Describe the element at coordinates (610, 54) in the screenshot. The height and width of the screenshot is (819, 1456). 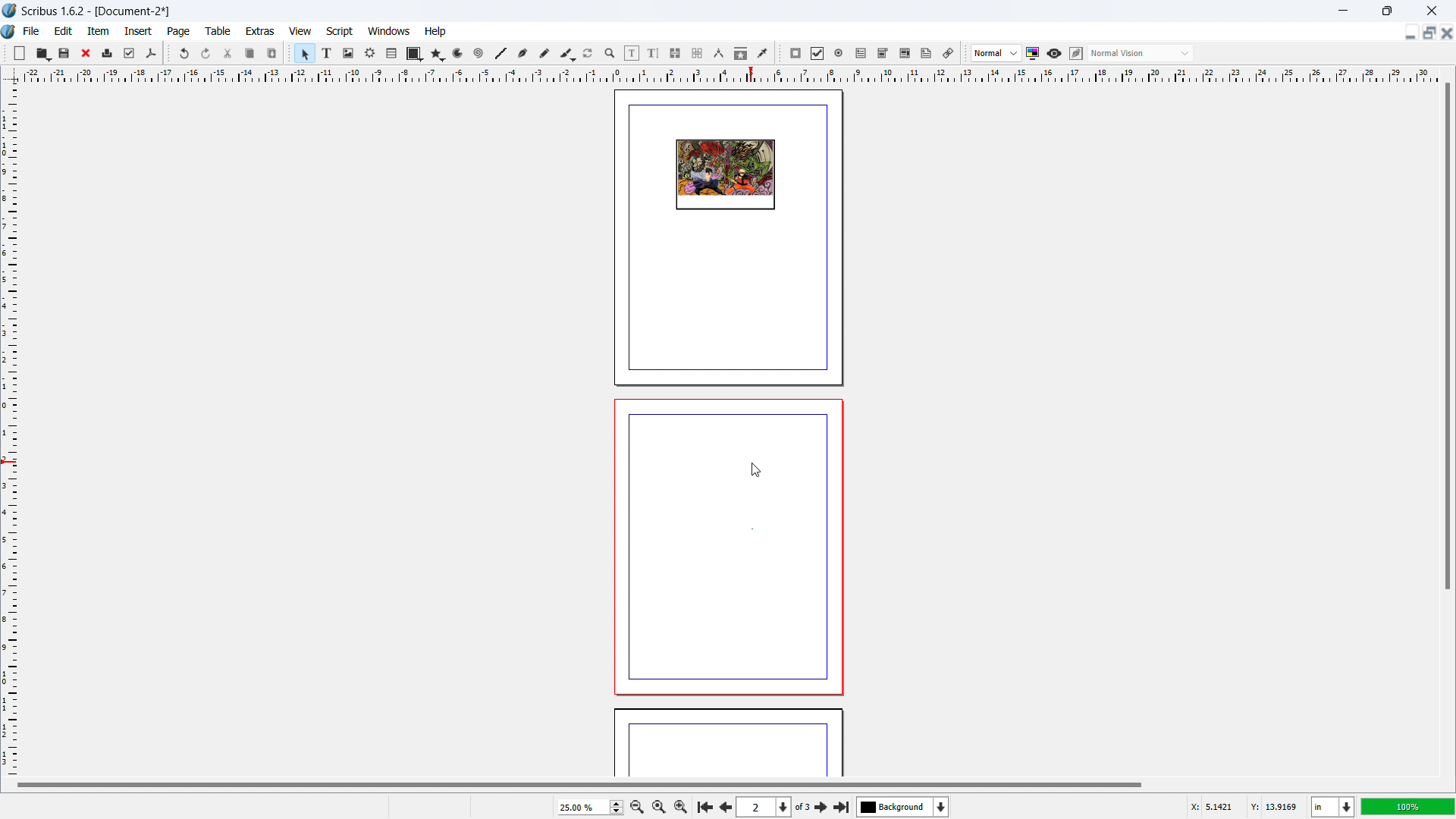
I see `zoom in/out` at that location.